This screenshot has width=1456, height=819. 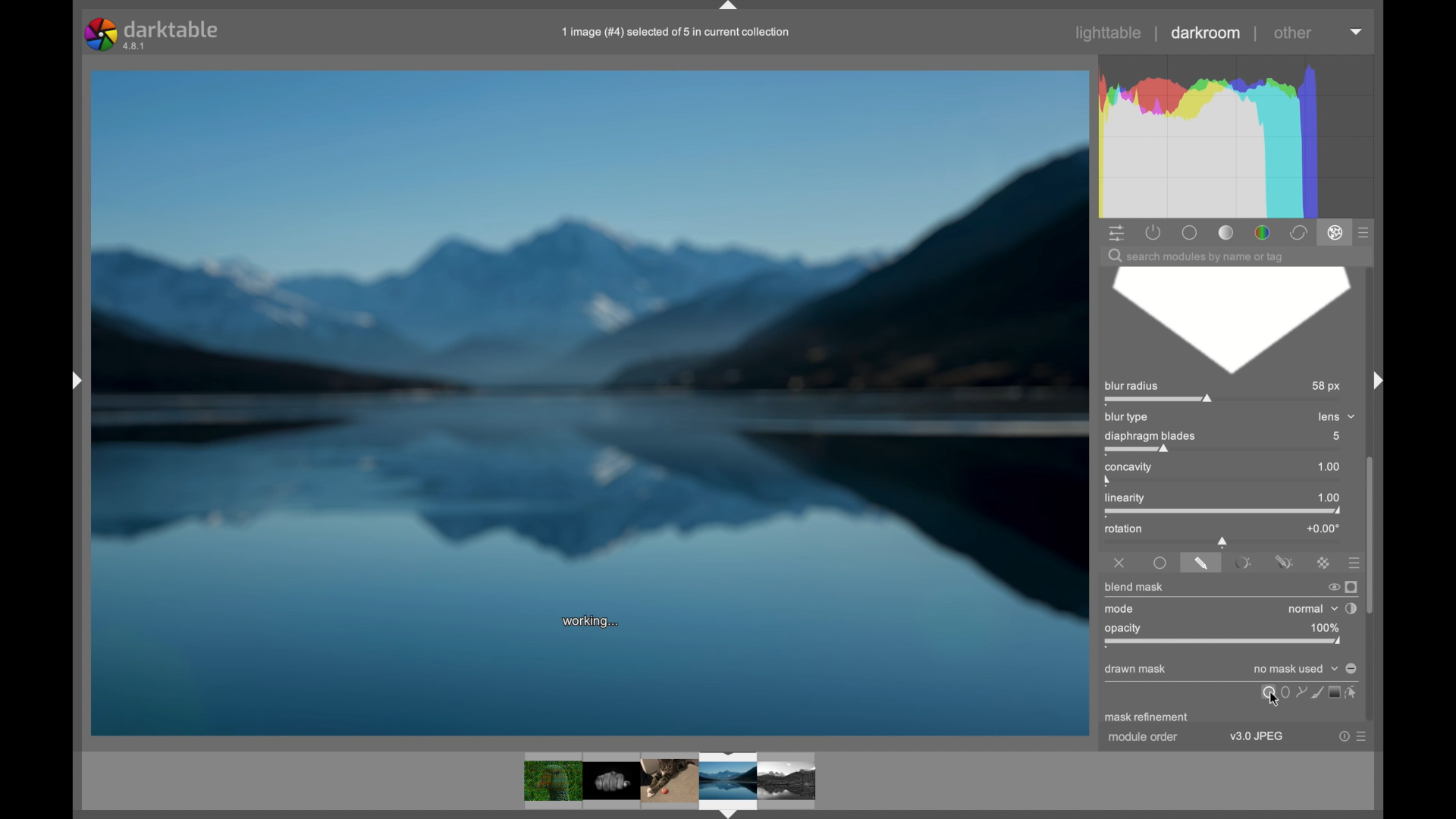 I want to click on effect, so click(x=1335, y=234).